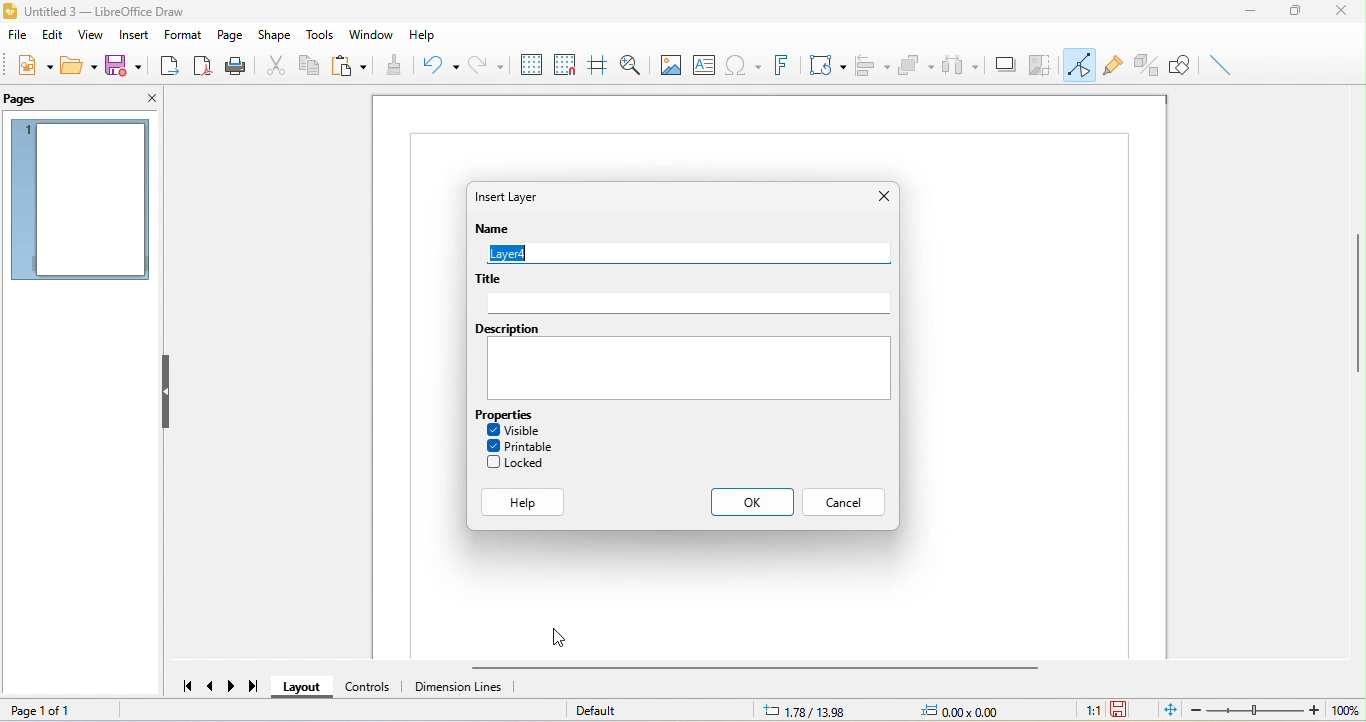 This screenshot has width=1366, height=722. I want to click on last page, so click(257, 689).